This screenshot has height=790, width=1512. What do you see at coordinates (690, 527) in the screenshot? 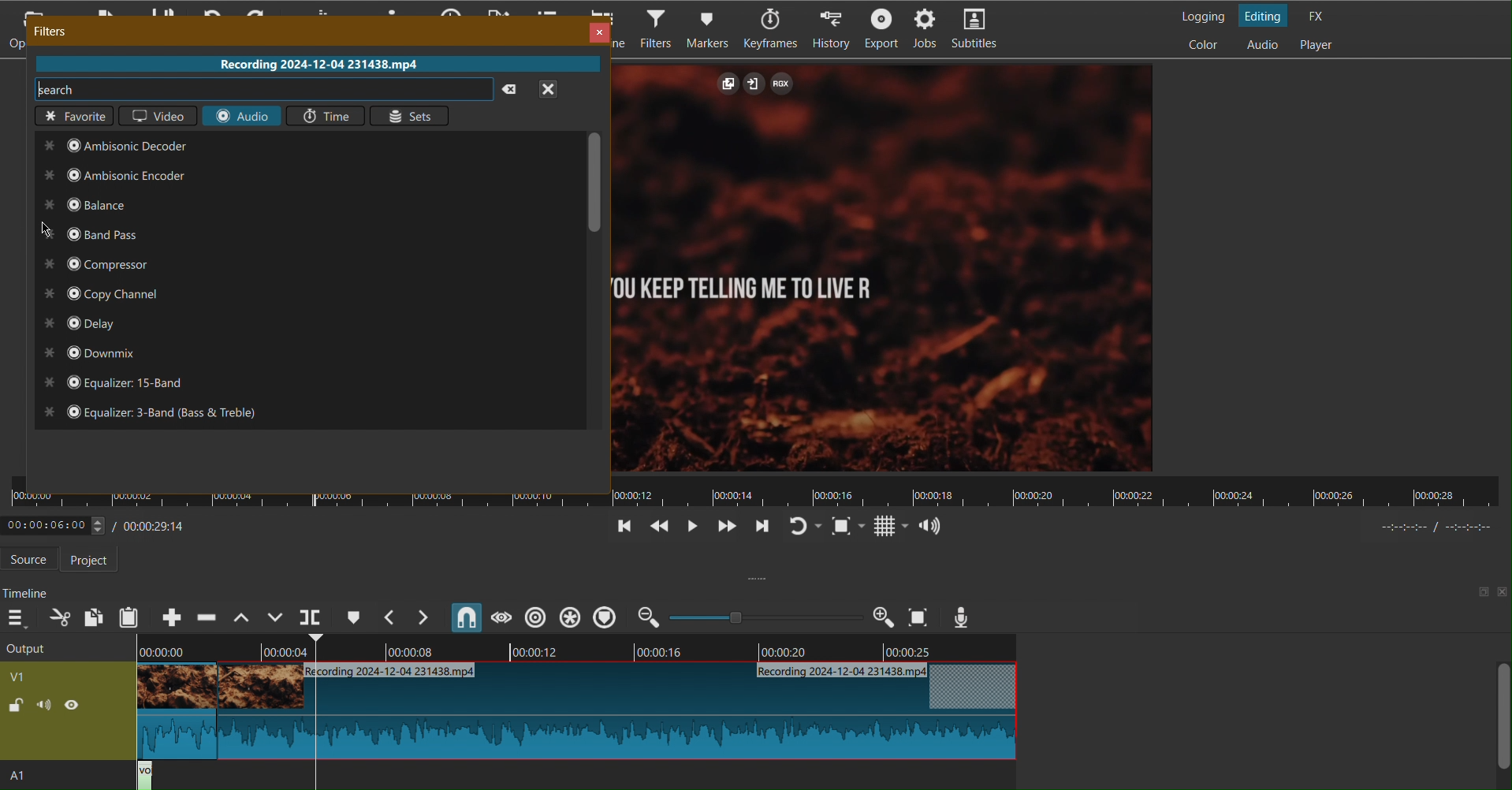
I see `Play` at bounding box center [690, 527].